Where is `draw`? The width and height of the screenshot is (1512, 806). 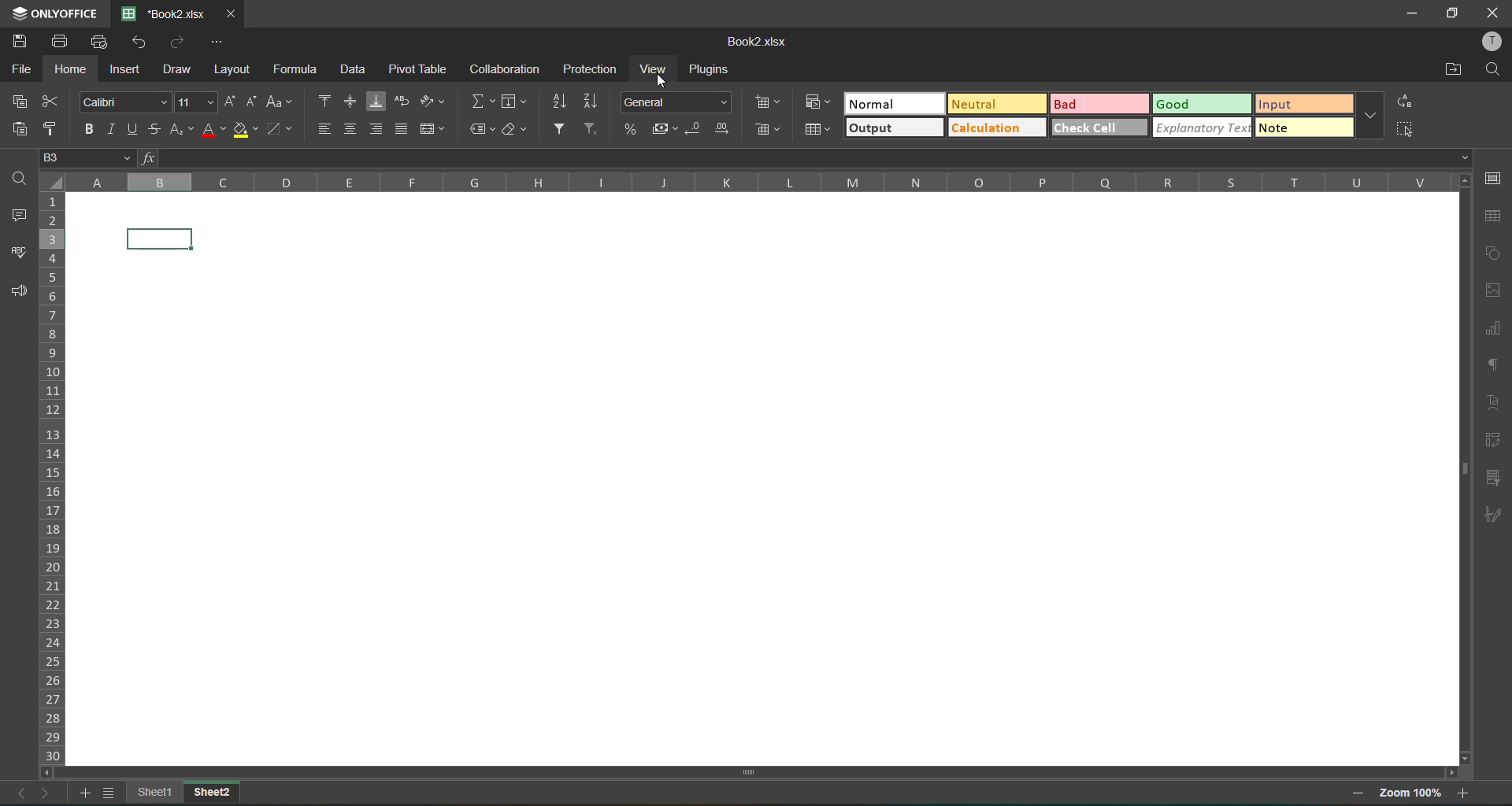
draw is located at coordinates (175, 69).